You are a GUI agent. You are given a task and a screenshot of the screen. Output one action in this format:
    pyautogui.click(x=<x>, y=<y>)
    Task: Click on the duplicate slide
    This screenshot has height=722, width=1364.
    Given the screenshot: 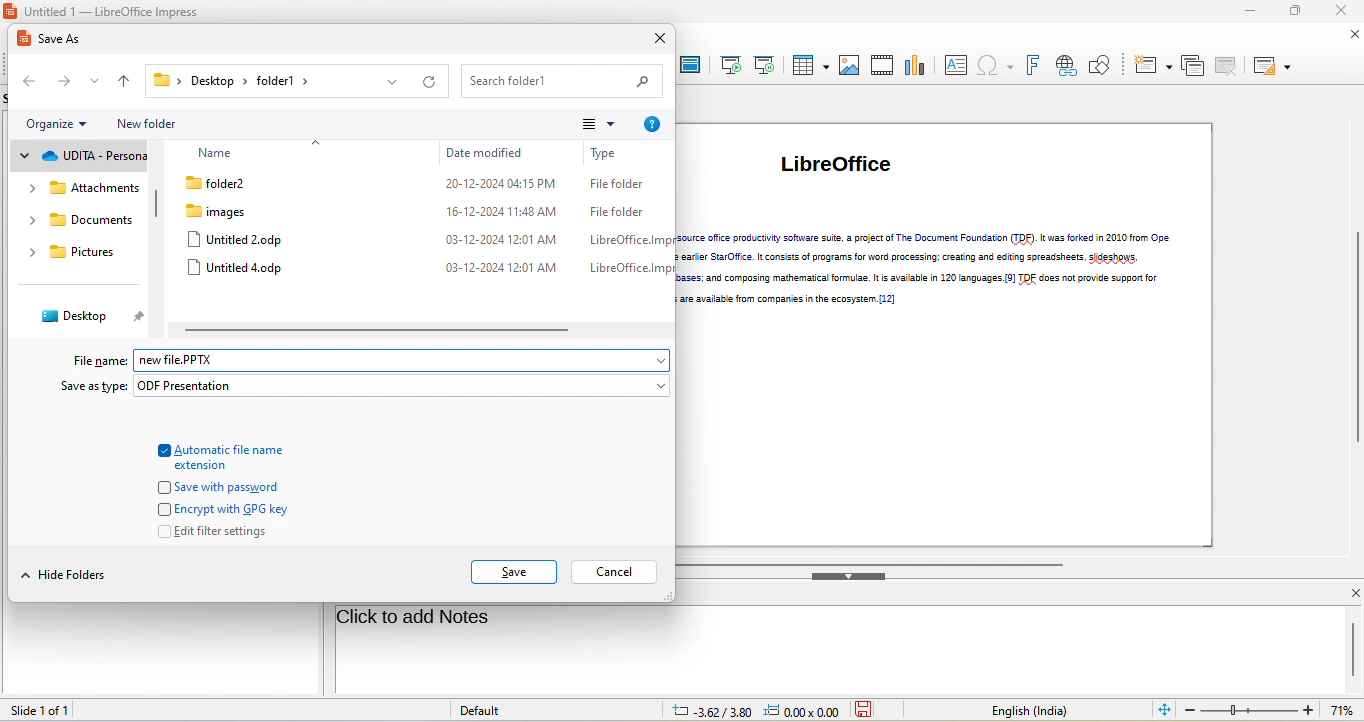 What is the action you would take?
    pyautogui.click(x=1195, y=66)
    